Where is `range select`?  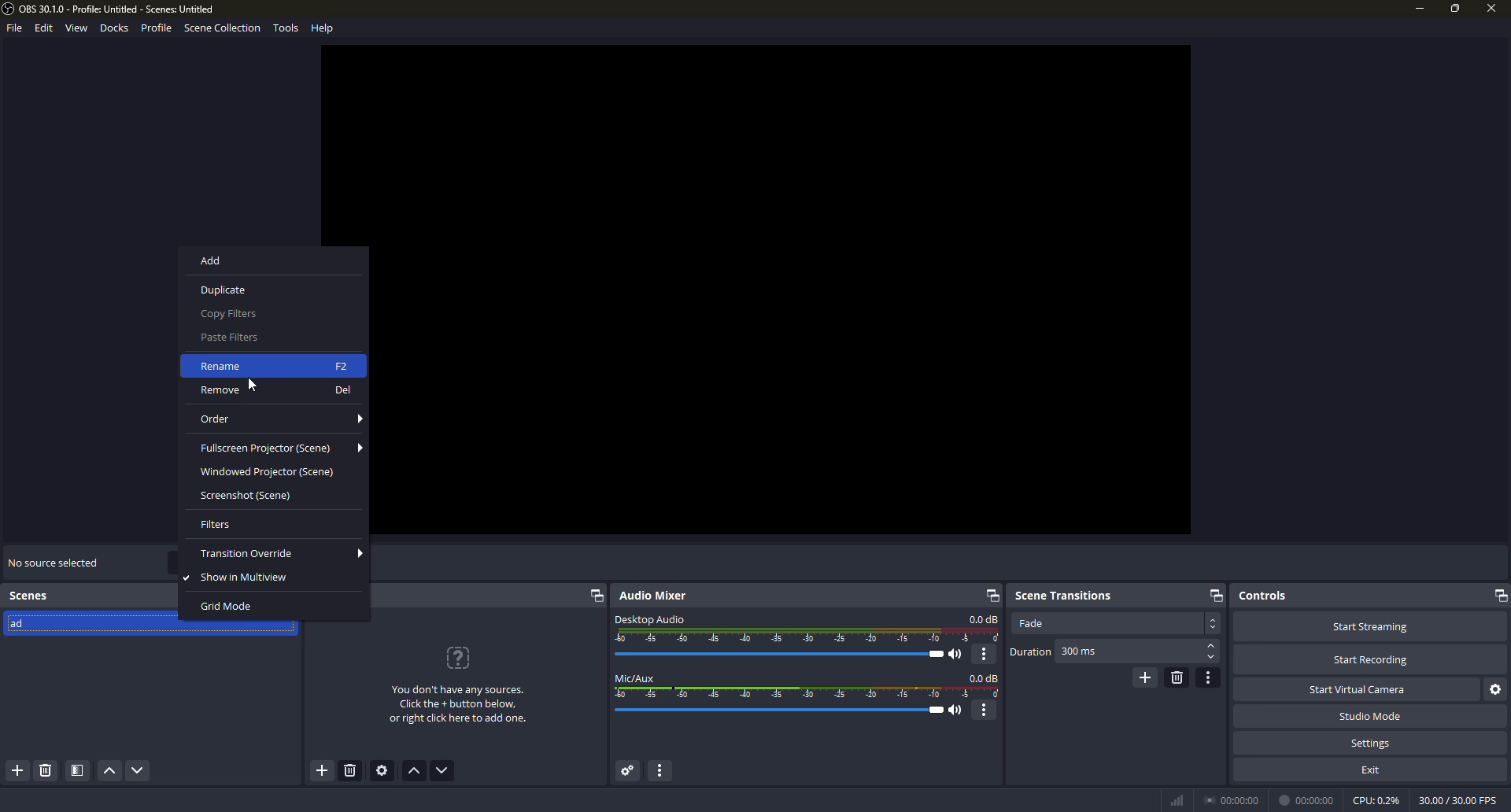
range select is located at coordinates (808, 693).